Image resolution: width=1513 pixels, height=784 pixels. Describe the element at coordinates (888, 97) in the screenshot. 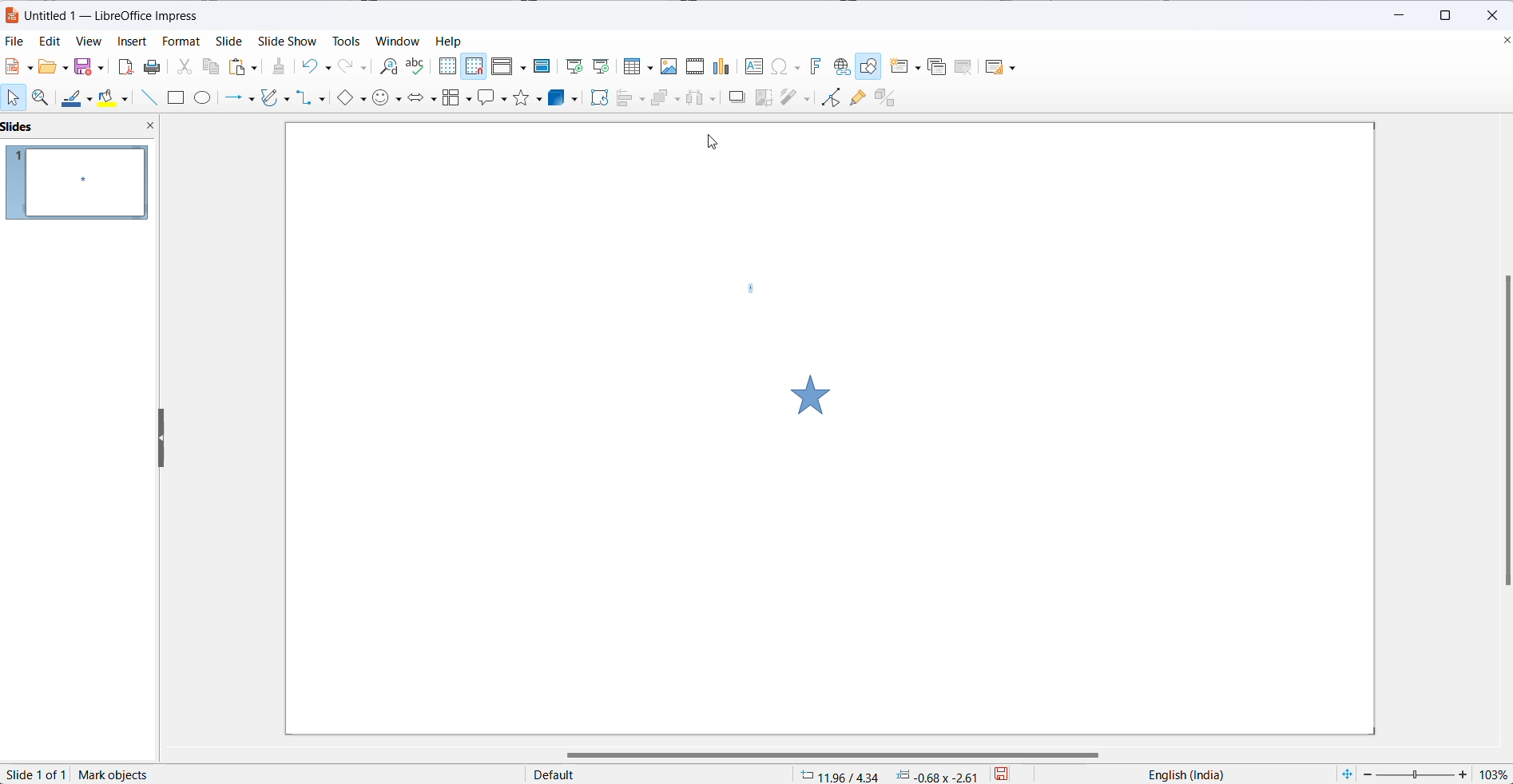

I see `toggle extrusion` at that location.